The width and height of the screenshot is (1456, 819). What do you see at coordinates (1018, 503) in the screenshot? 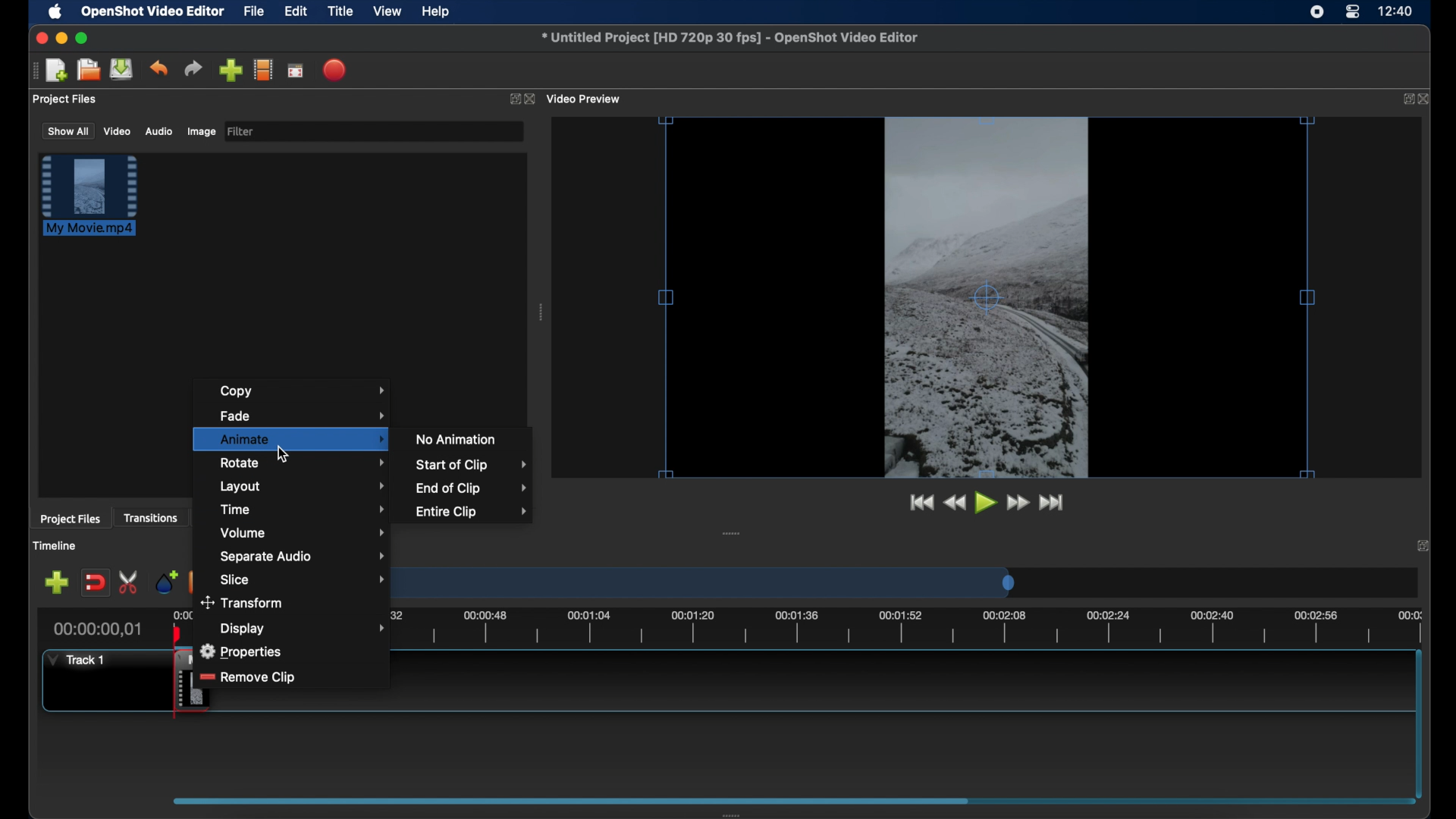
I see `fast forward` at bounding box center [1018, 503].